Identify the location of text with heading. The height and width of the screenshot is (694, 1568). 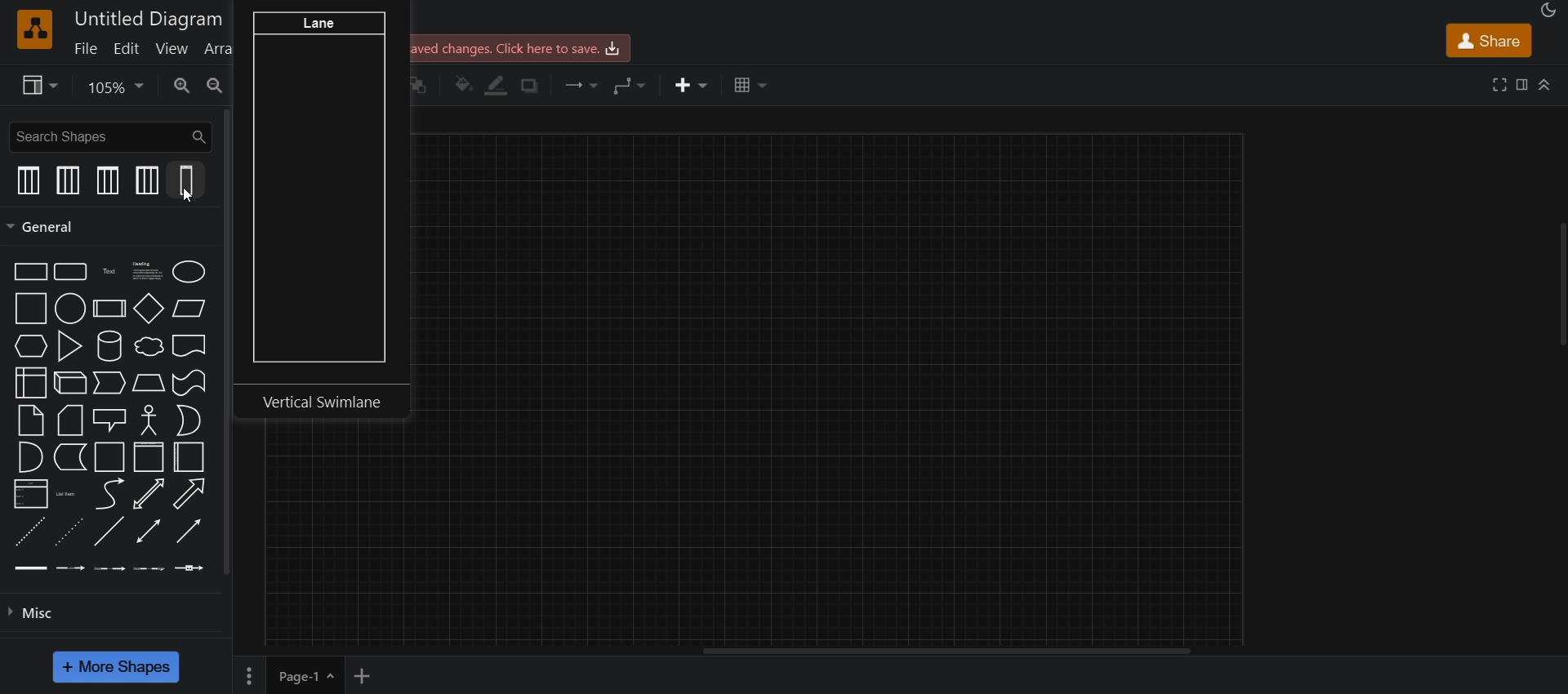
(145, 270).